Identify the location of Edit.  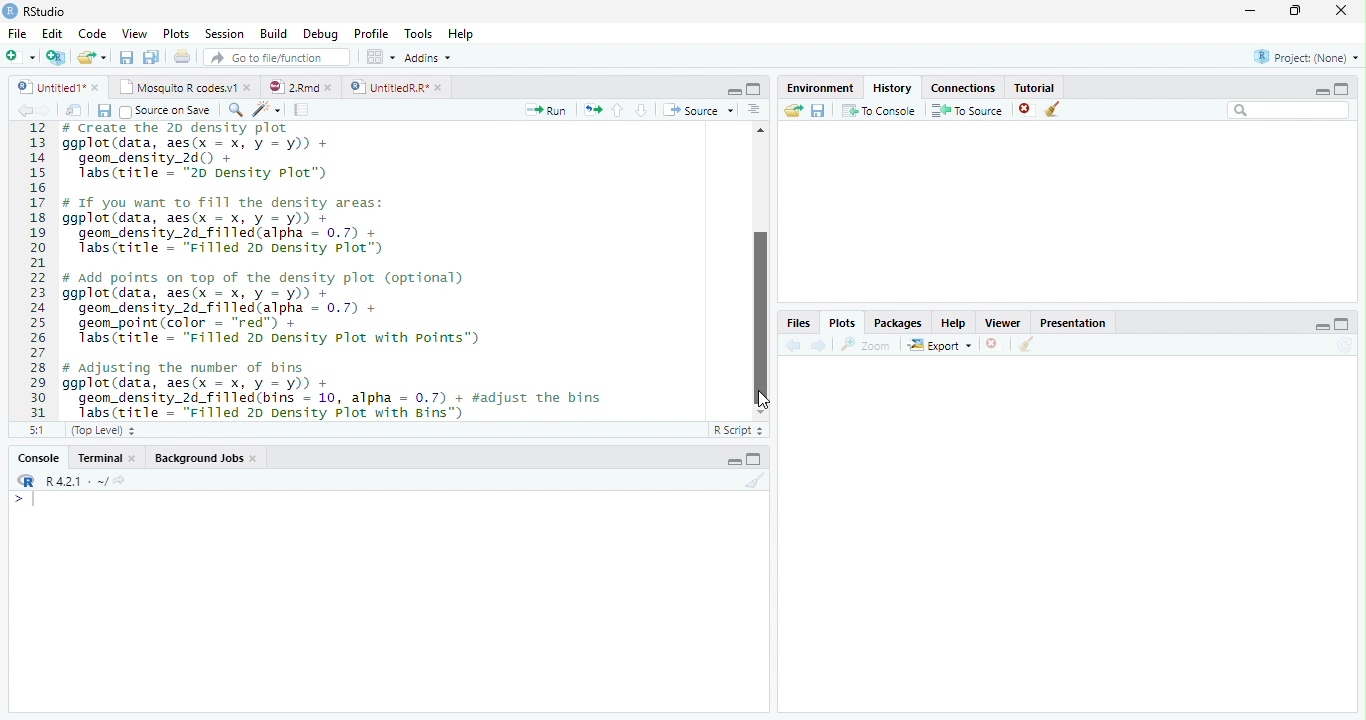
(52, 34).